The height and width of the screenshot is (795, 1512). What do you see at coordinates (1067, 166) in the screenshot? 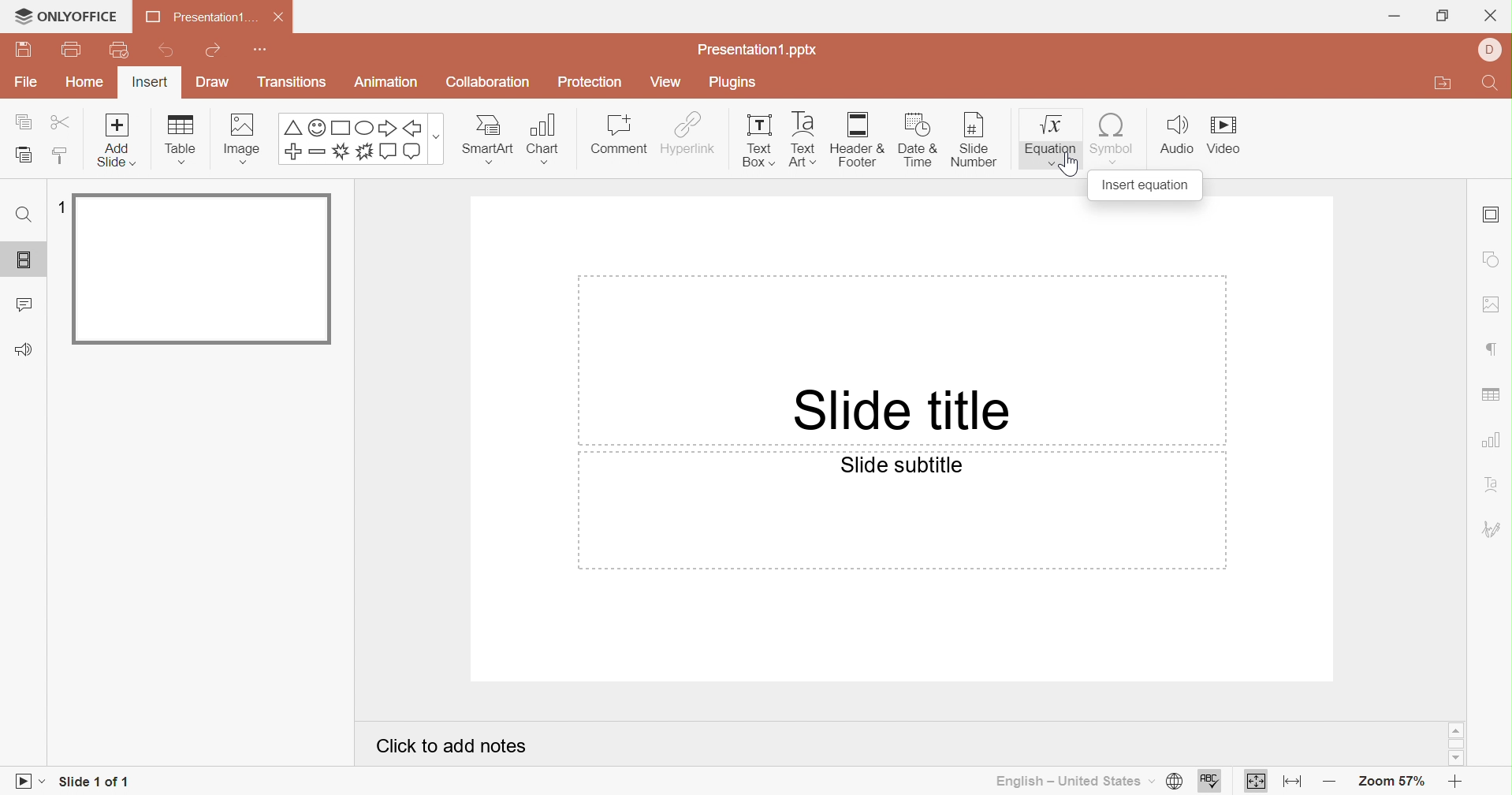
I see `Cursor` at bounding box center [1067, 166].